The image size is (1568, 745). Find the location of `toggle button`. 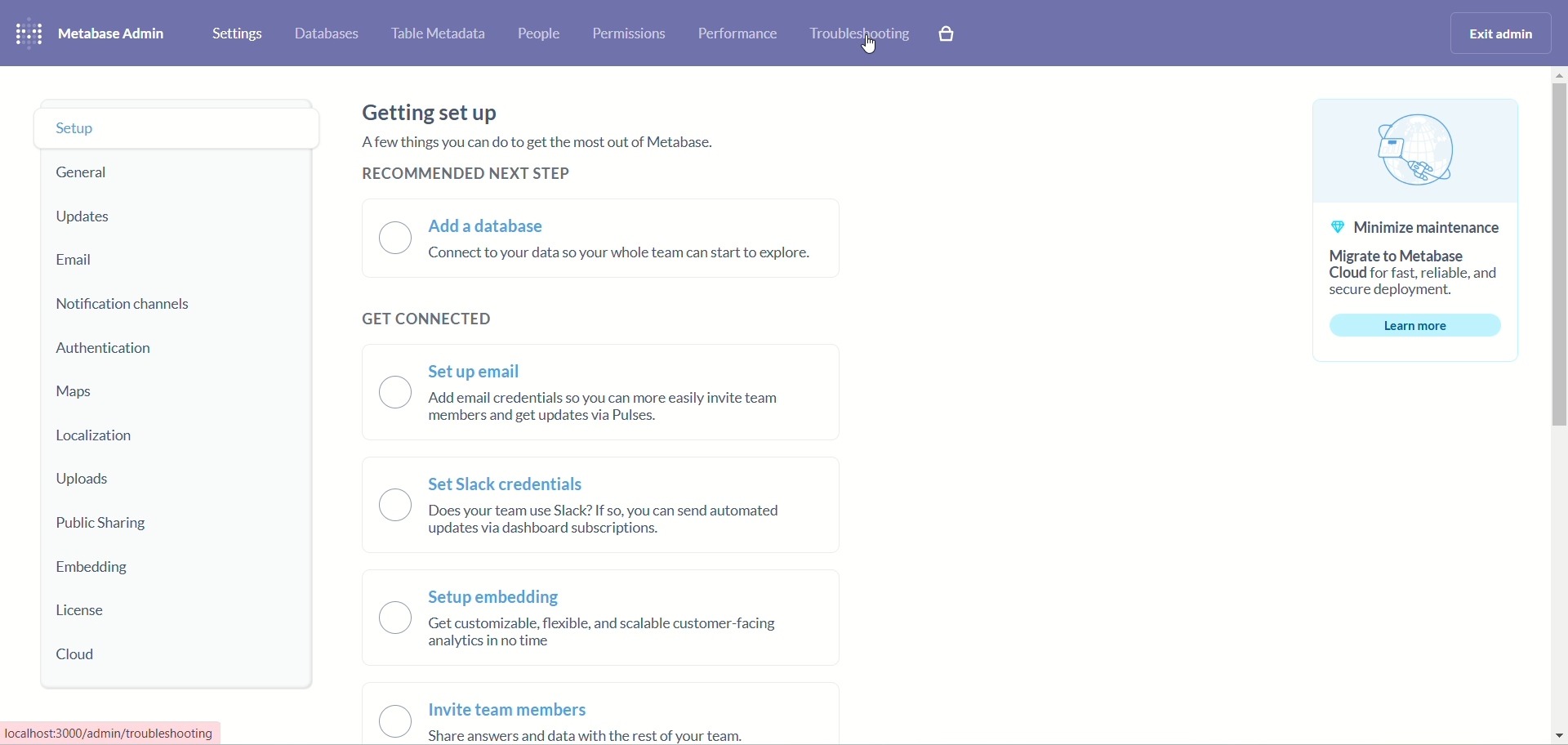

toggle button is located at coordinates (390, 238).